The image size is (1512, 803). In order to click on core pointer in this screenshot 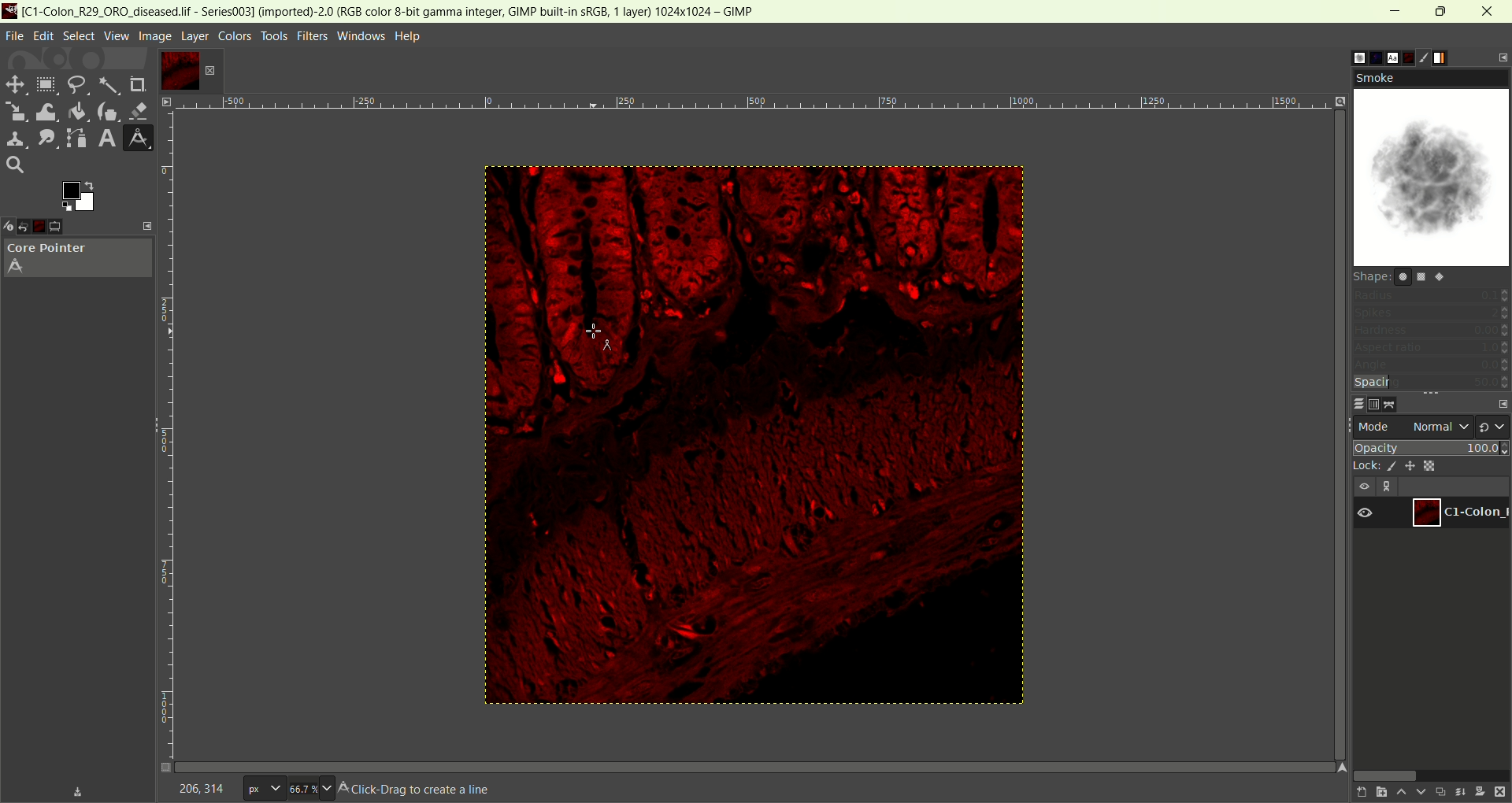, I will do `click(78, 260)`.